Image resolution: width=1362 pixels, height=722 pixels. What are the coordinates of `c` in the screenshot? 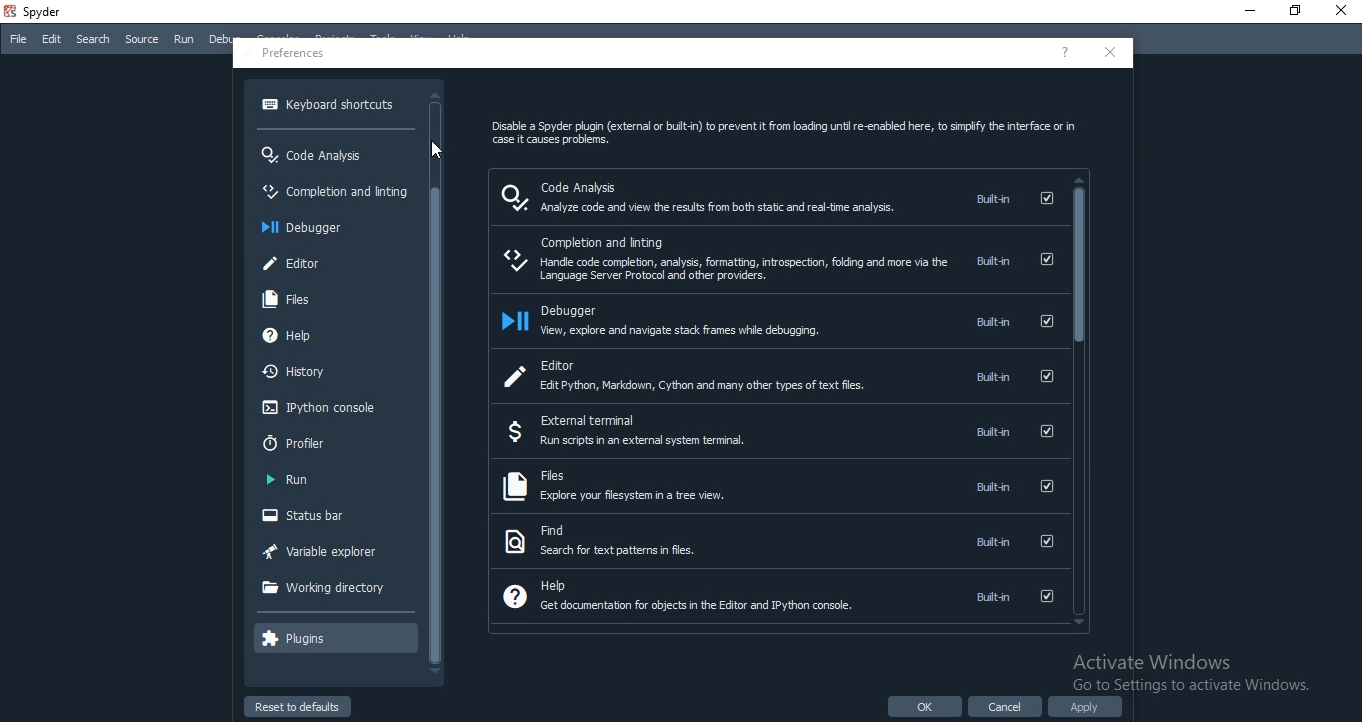 It's located at (1107, 53).